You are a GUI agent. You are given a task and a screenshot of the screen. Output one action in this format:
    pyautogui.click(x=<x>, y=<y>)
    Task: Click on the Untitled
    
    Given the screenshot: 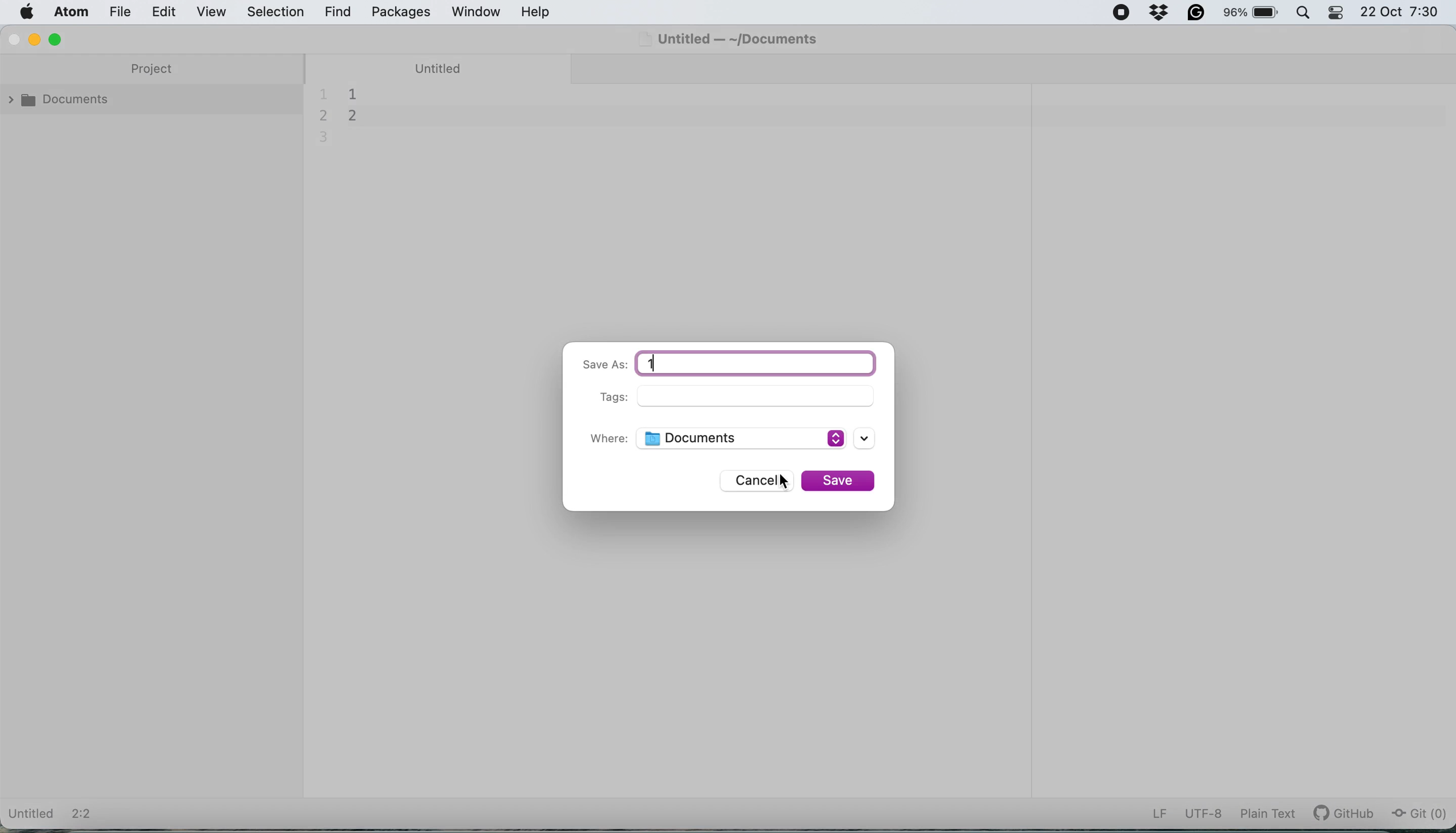 What is the action you would take?
    pyautogui.click(x=32, y=815)
    